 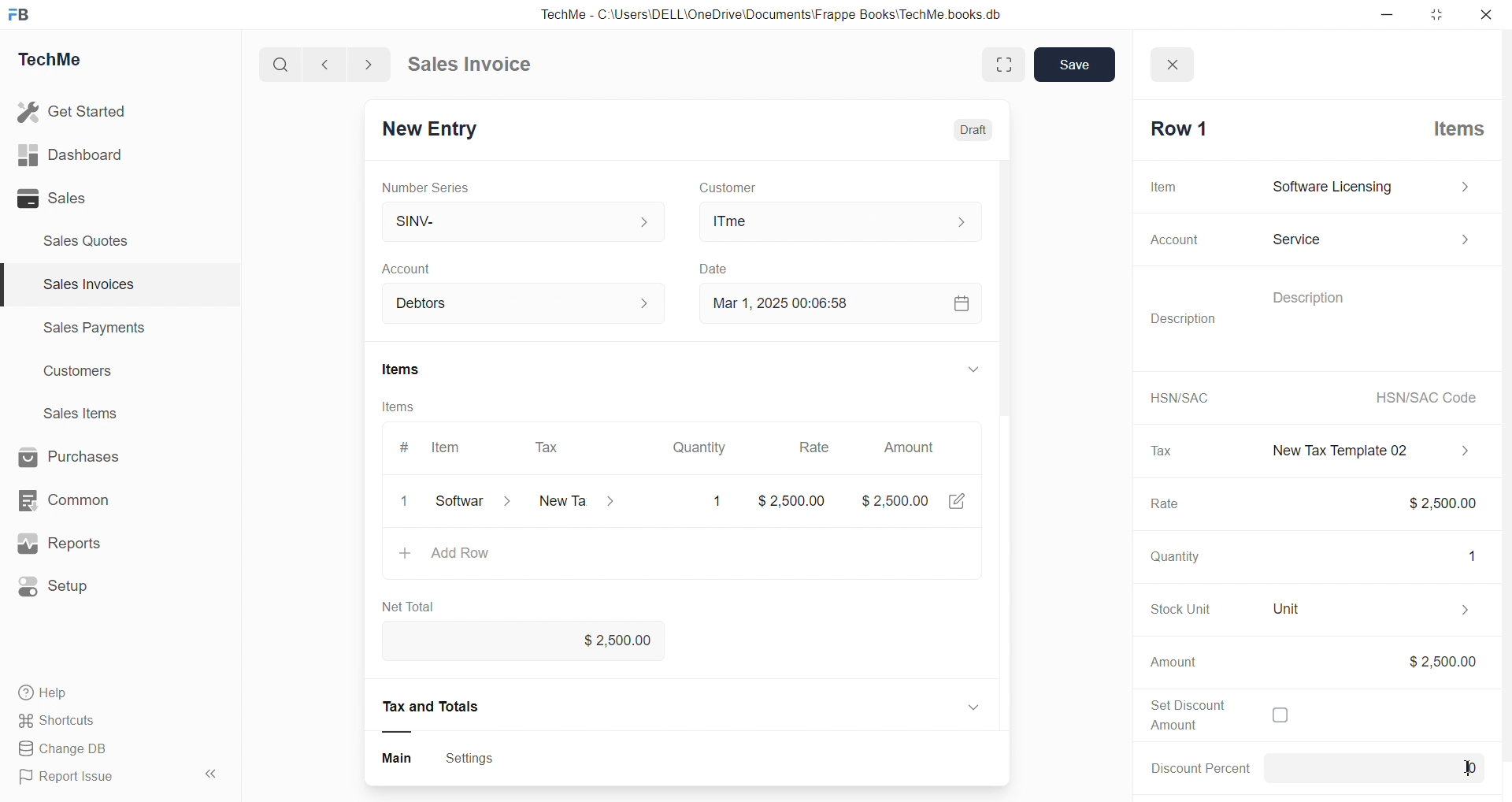 What do you see at coordinates (1159, 451) in the screenshot?
I see `Tax` at bounding box center [1159, 451].